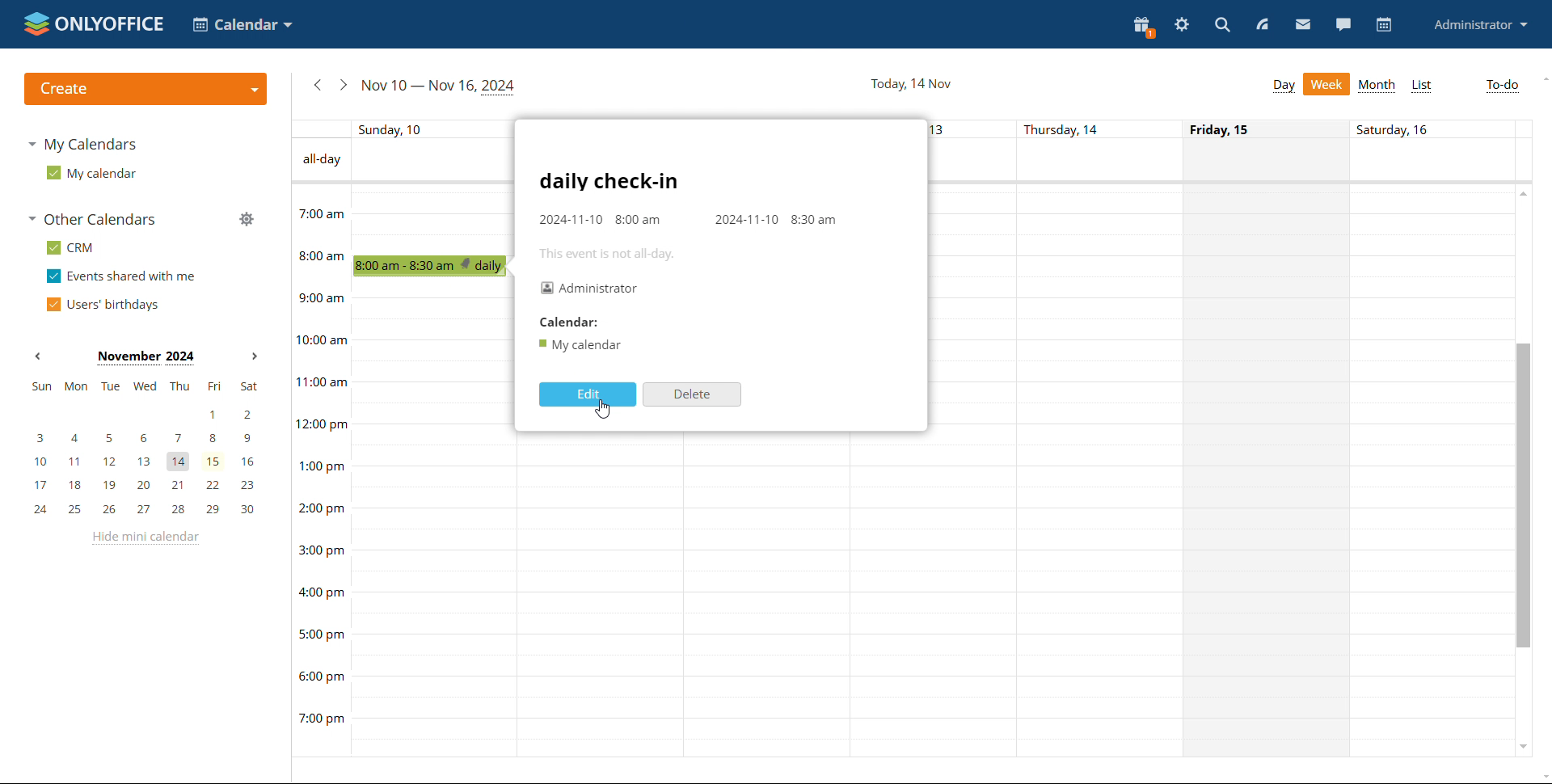 This screenshot has height=784, width=1552. What do you see at coordinates (586, 394) in the screenshot?
I see `edit` at bounding box center [586, 394].